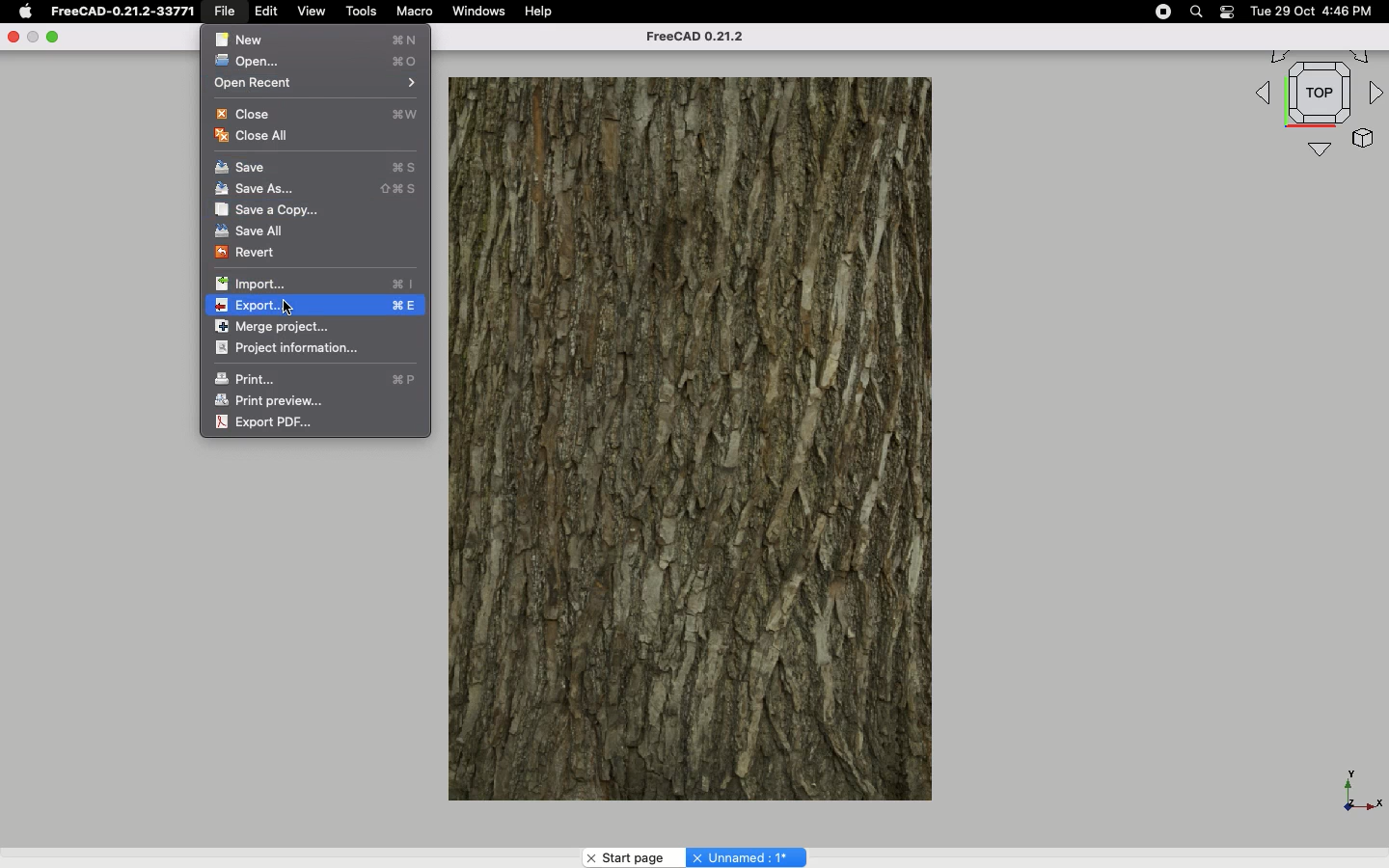 This screenshot has height=868, width=1389. I want to click on Search, so click(1197, 12).